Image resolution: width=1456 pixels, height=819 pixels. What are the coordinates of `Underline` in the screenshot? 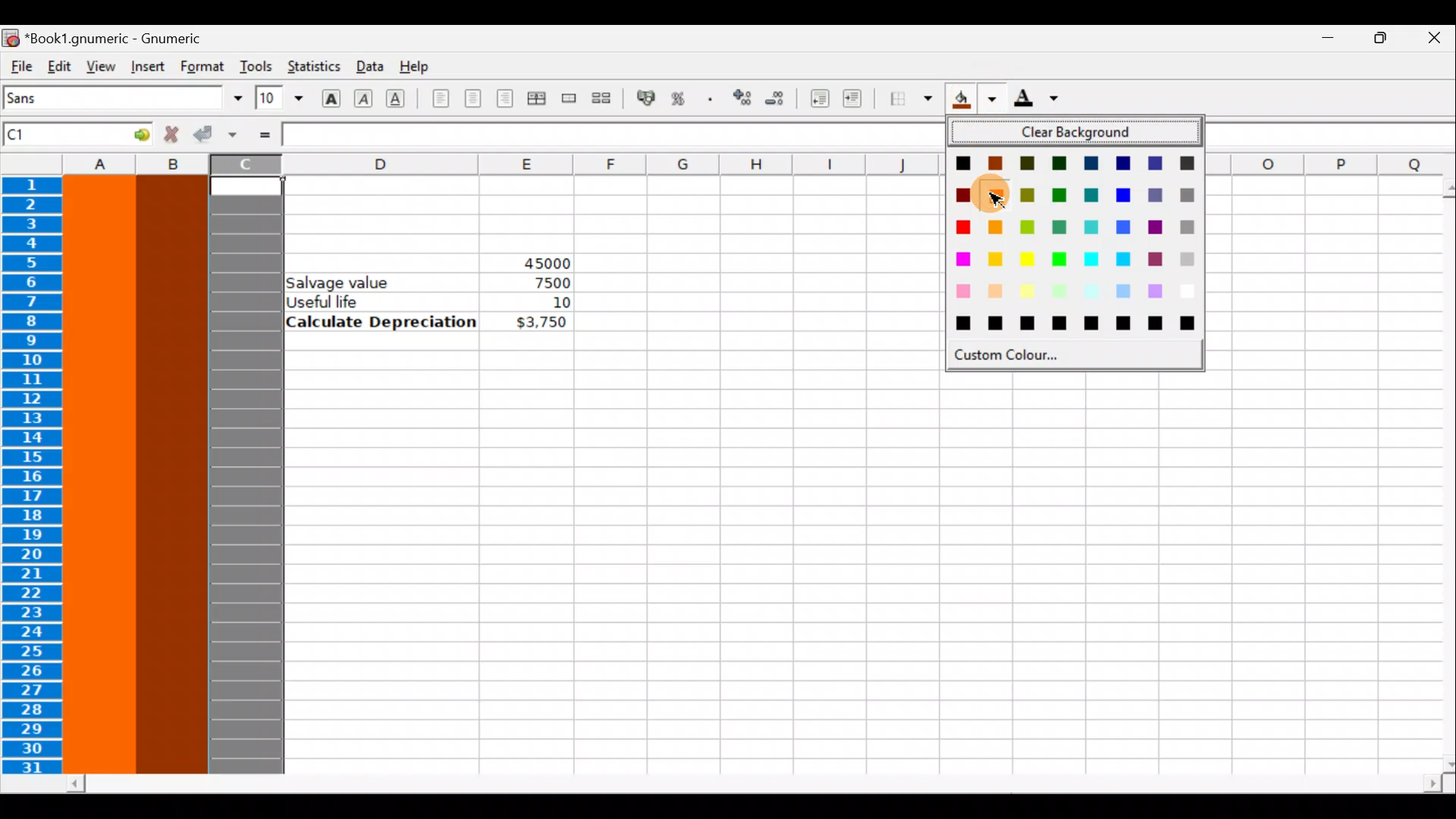 It's located at (402, 99).